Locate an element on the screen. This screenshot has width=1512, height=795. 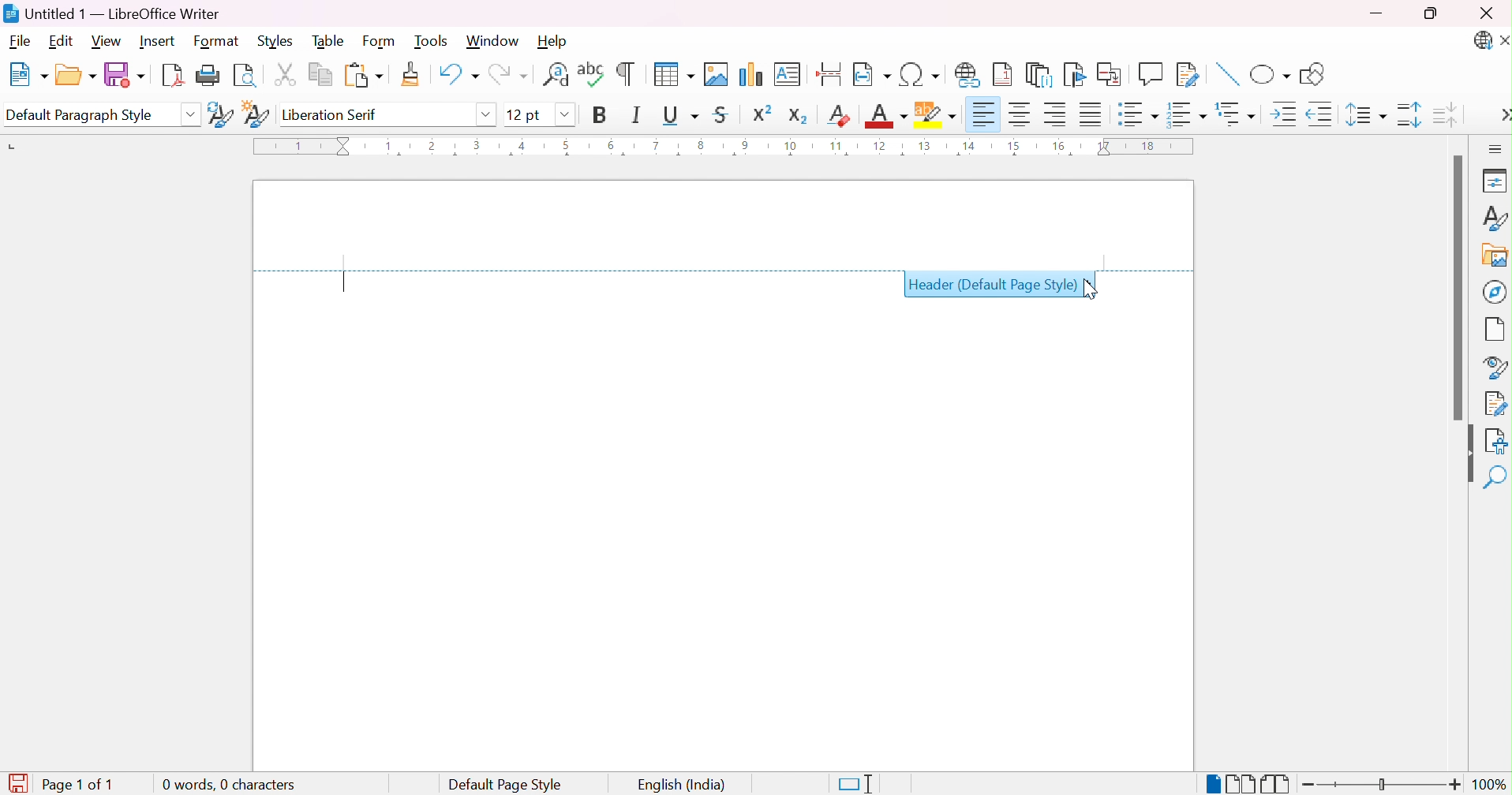
Single-page view is located at coordinates (1214, 785).